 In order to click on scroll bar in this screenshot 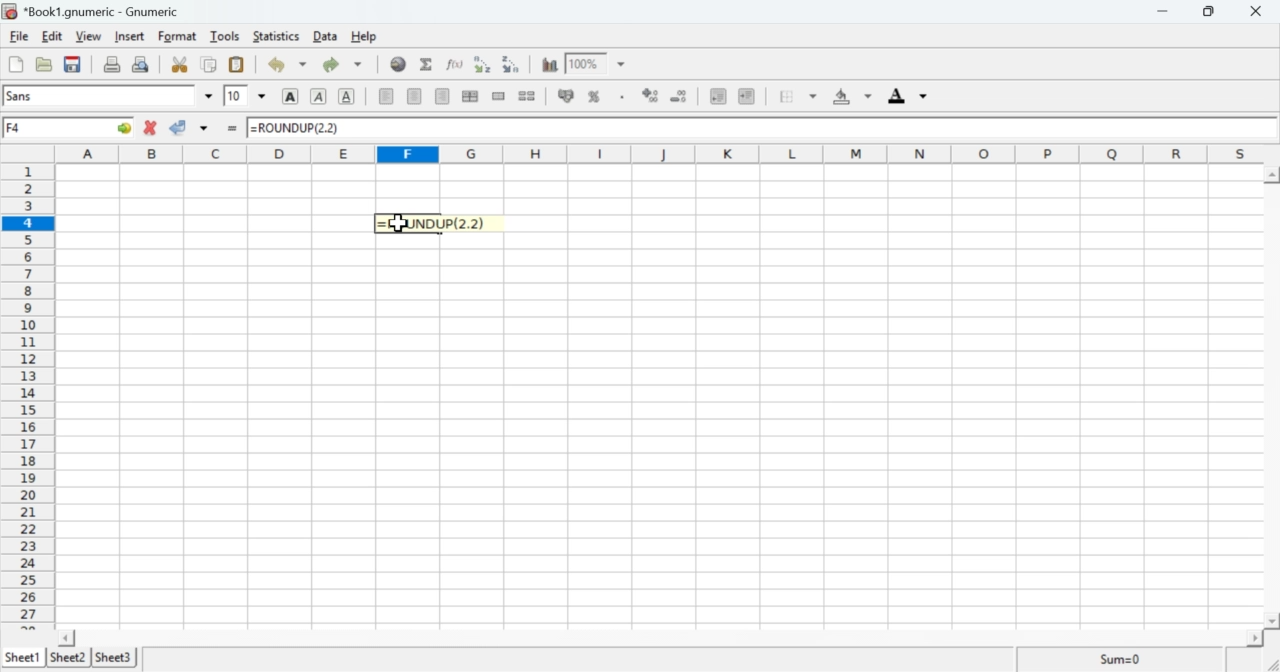, I will do `click(671, 638)`.